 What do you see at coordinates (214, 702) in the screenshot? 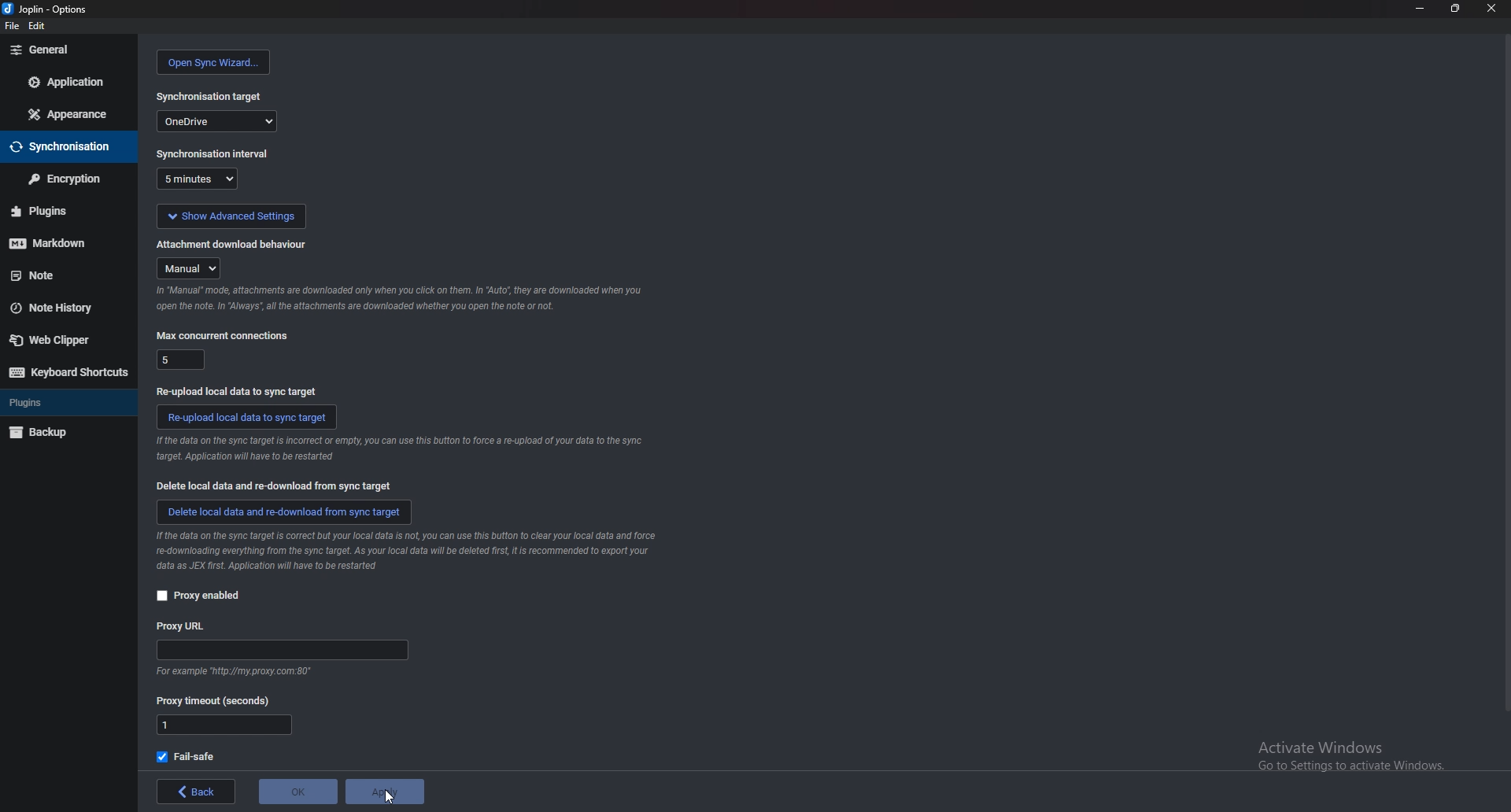
I see `proxy timeout` at bounding box center [214, 702].